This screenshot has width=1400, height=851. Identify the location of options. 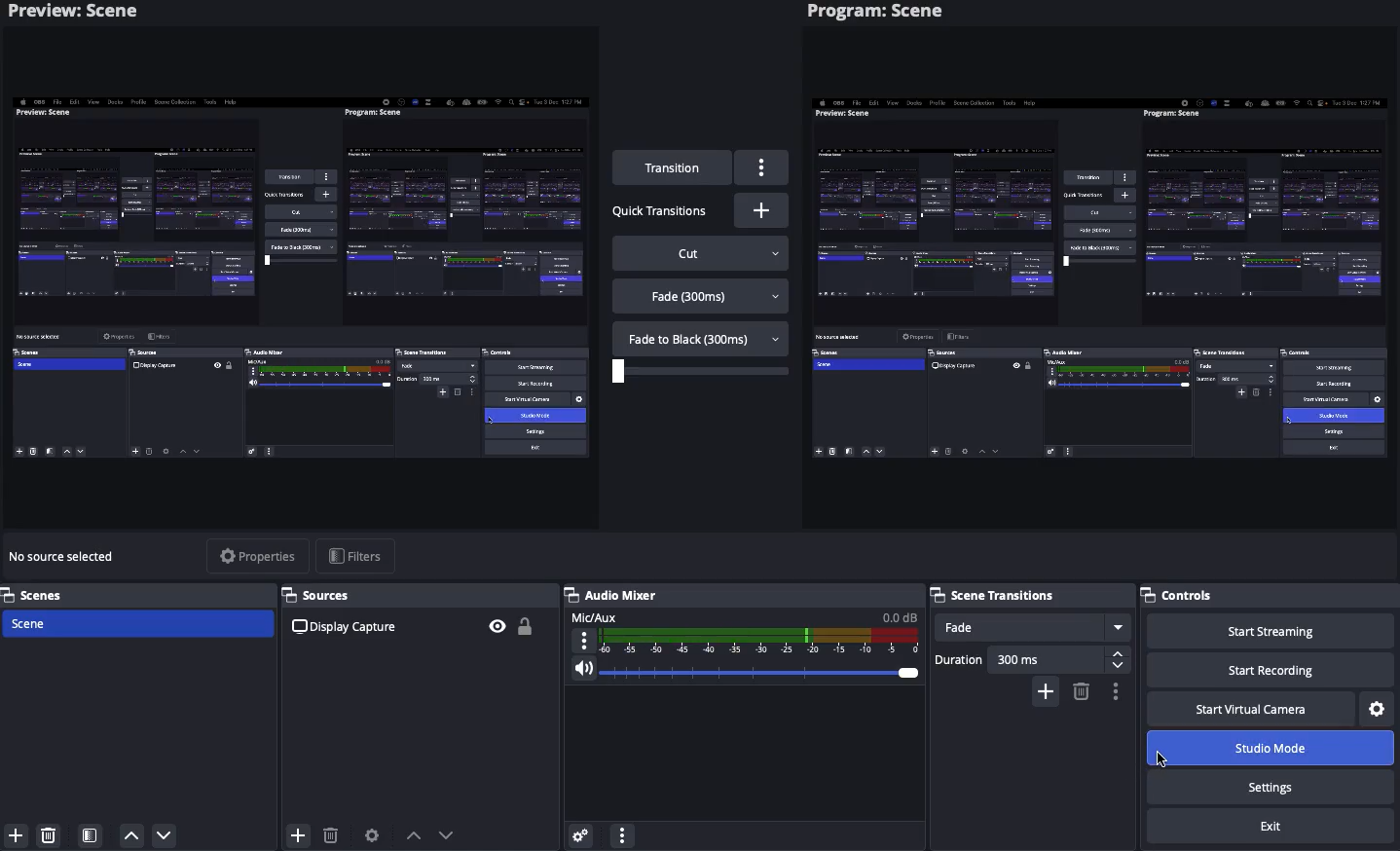
(621, 832).